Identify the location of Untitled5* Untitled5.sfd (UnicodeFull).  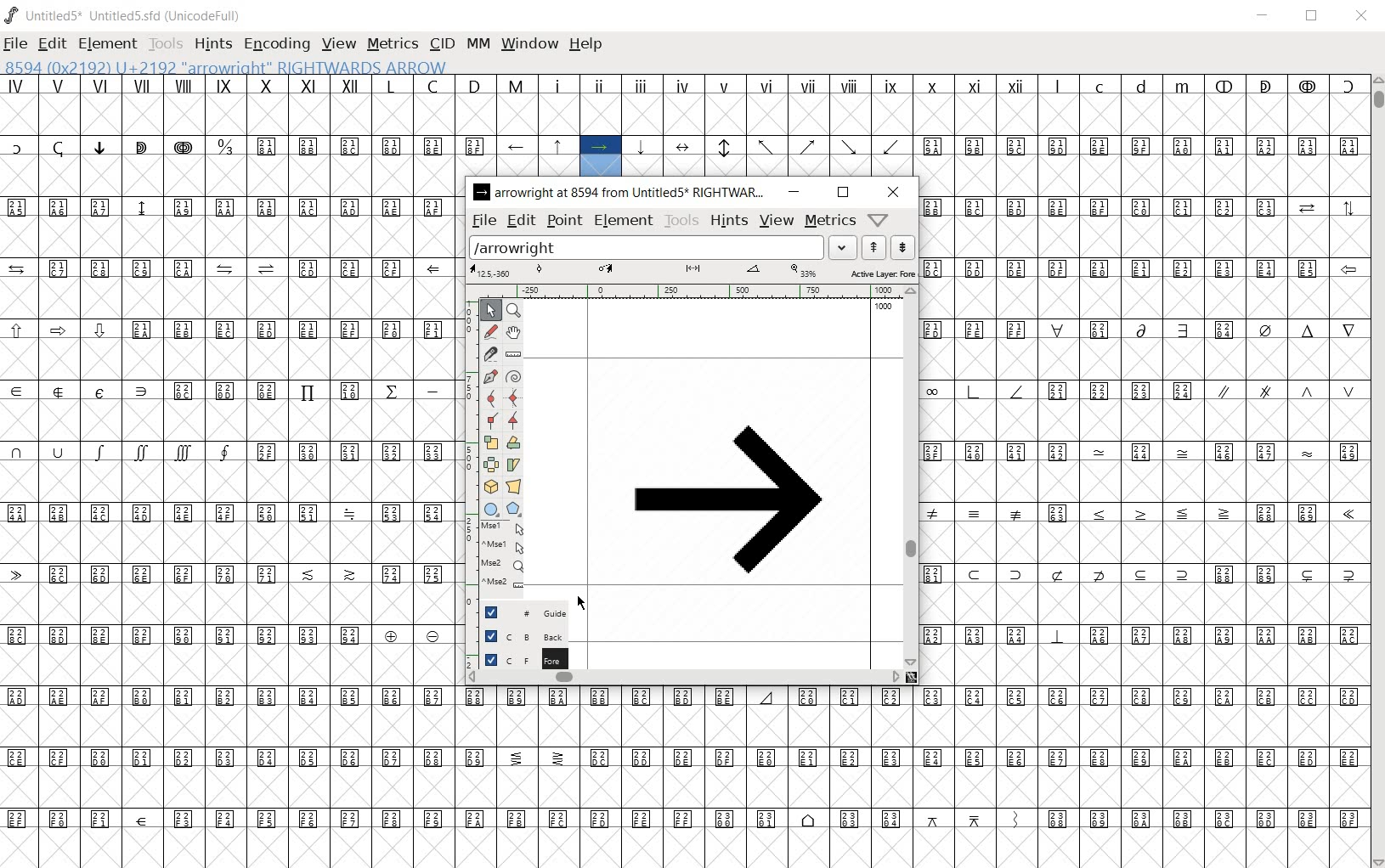
(126, 15).